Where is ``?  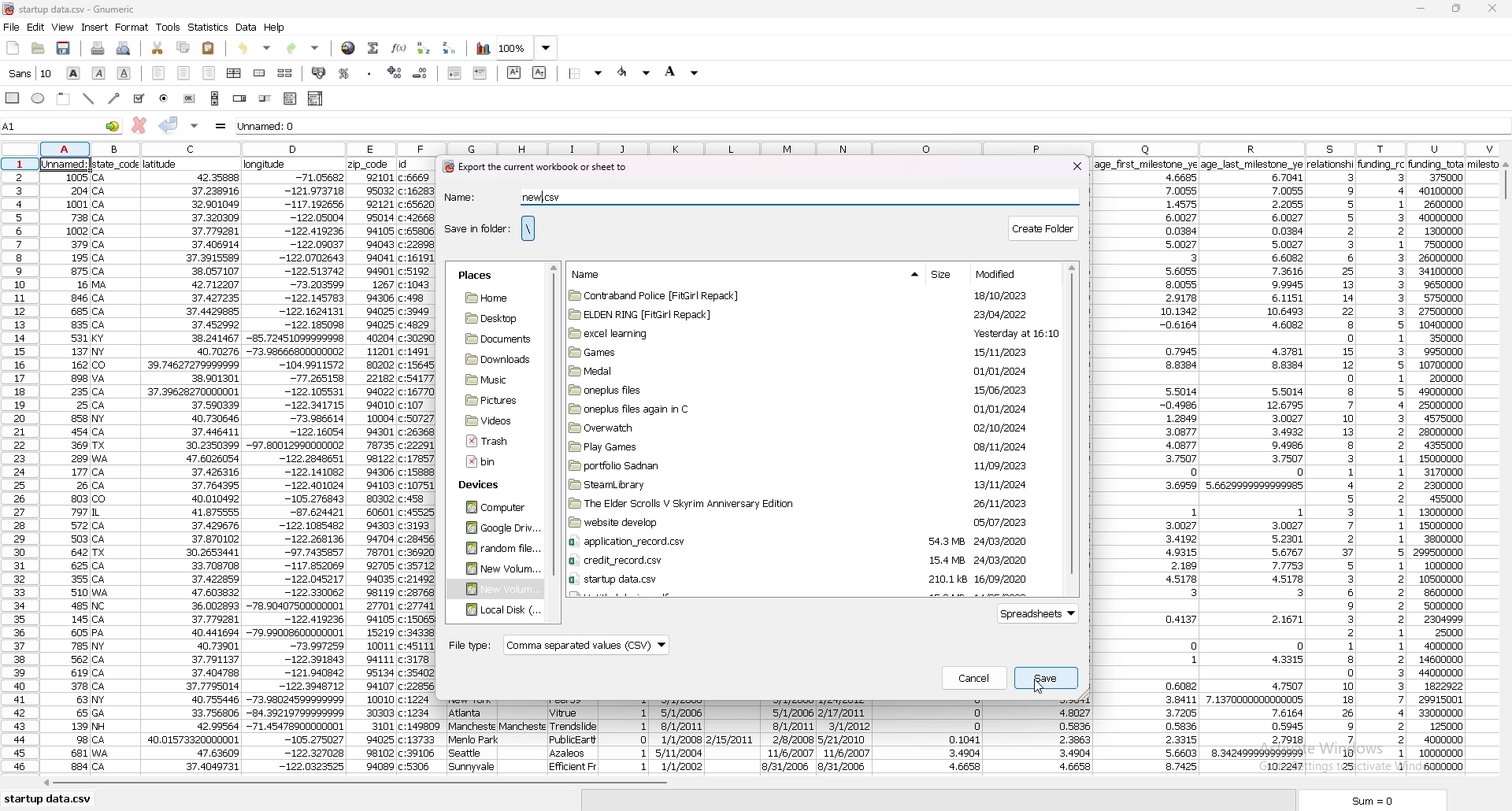
 is located at coordinates (117, 466).